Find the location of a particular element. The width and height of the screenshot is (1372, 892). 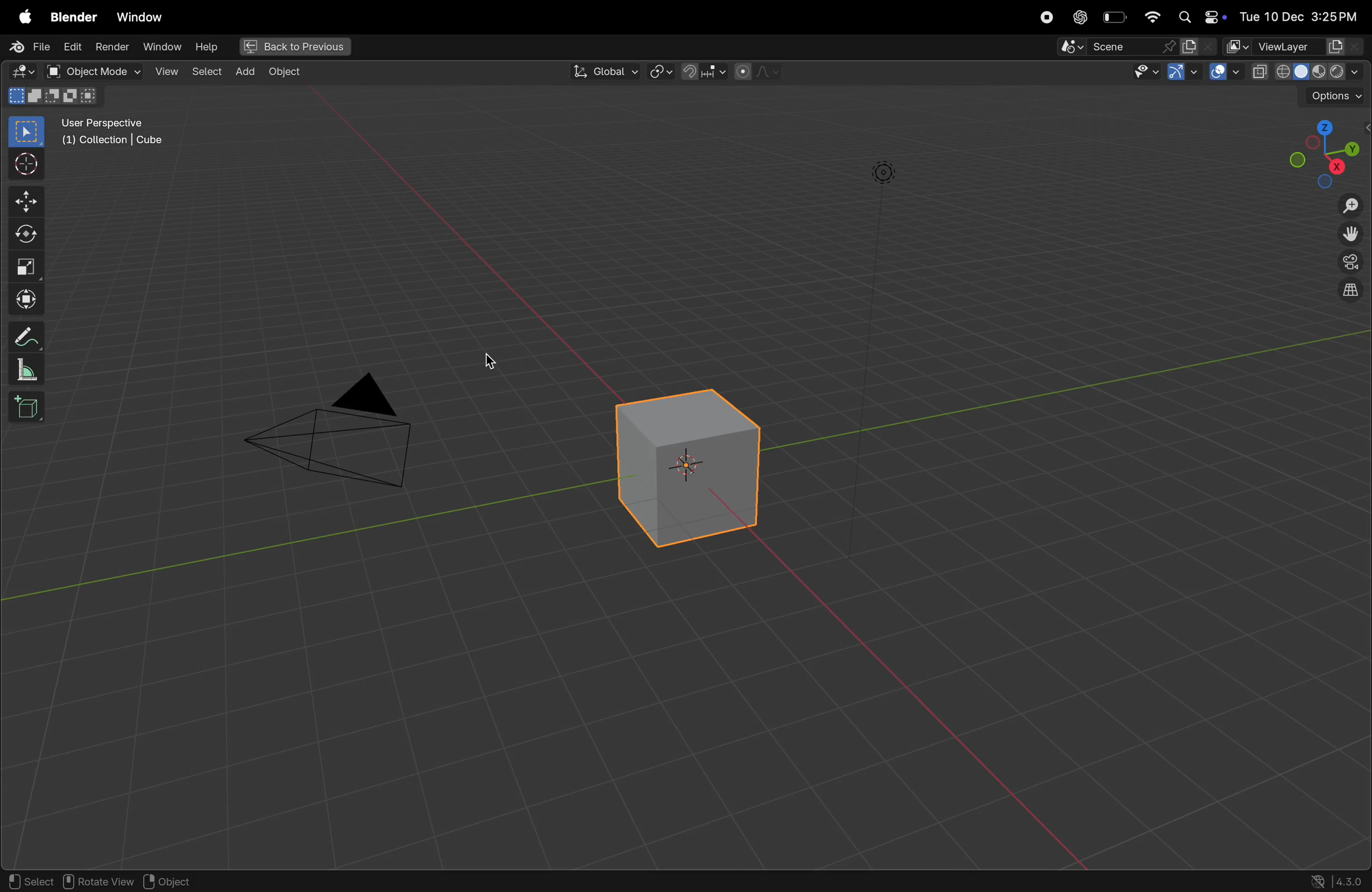

transform pviot is located at coordinates (661, 73).